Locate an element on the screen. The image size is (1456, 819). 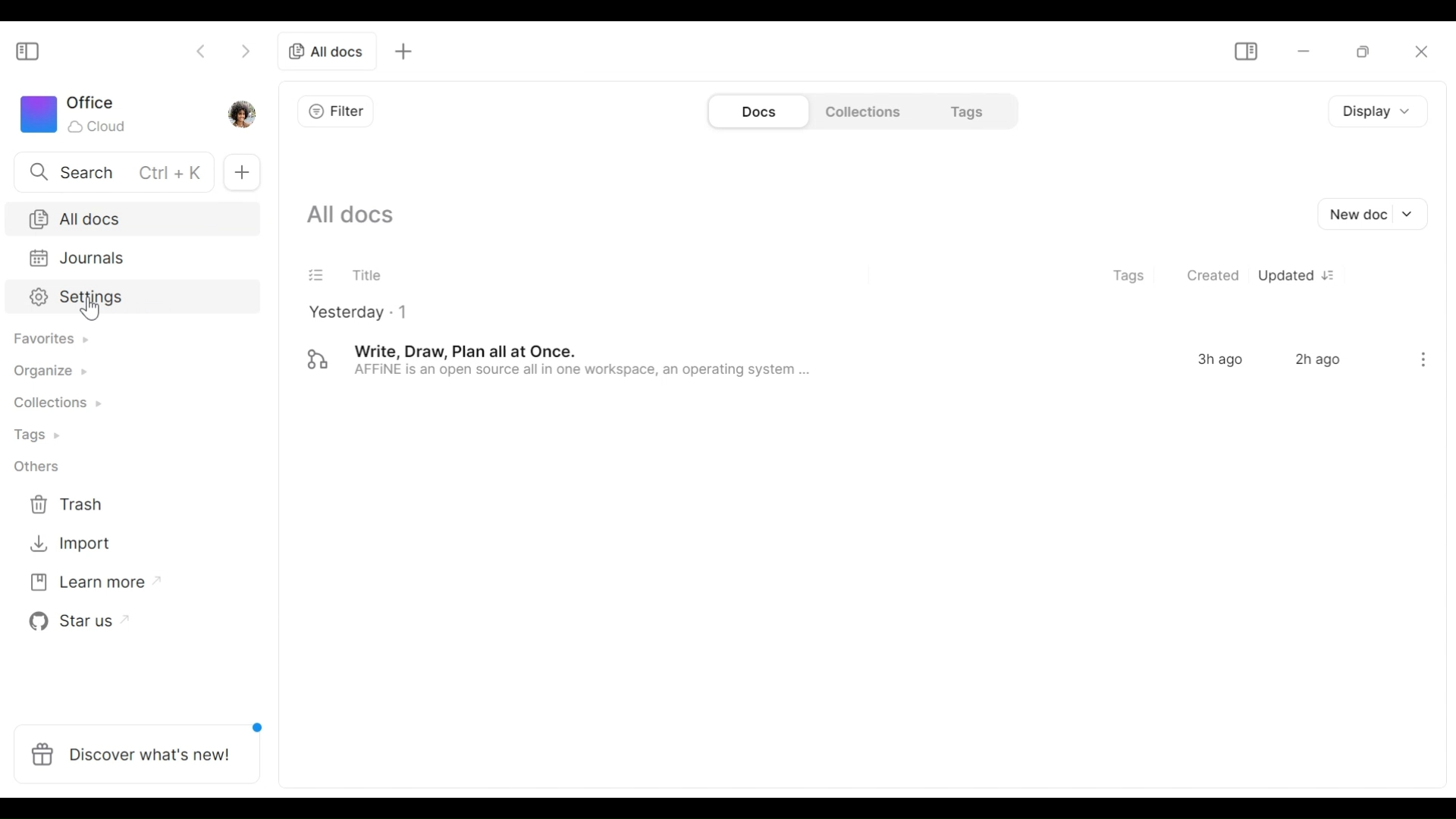
Add is located at coordinates (401, 52).